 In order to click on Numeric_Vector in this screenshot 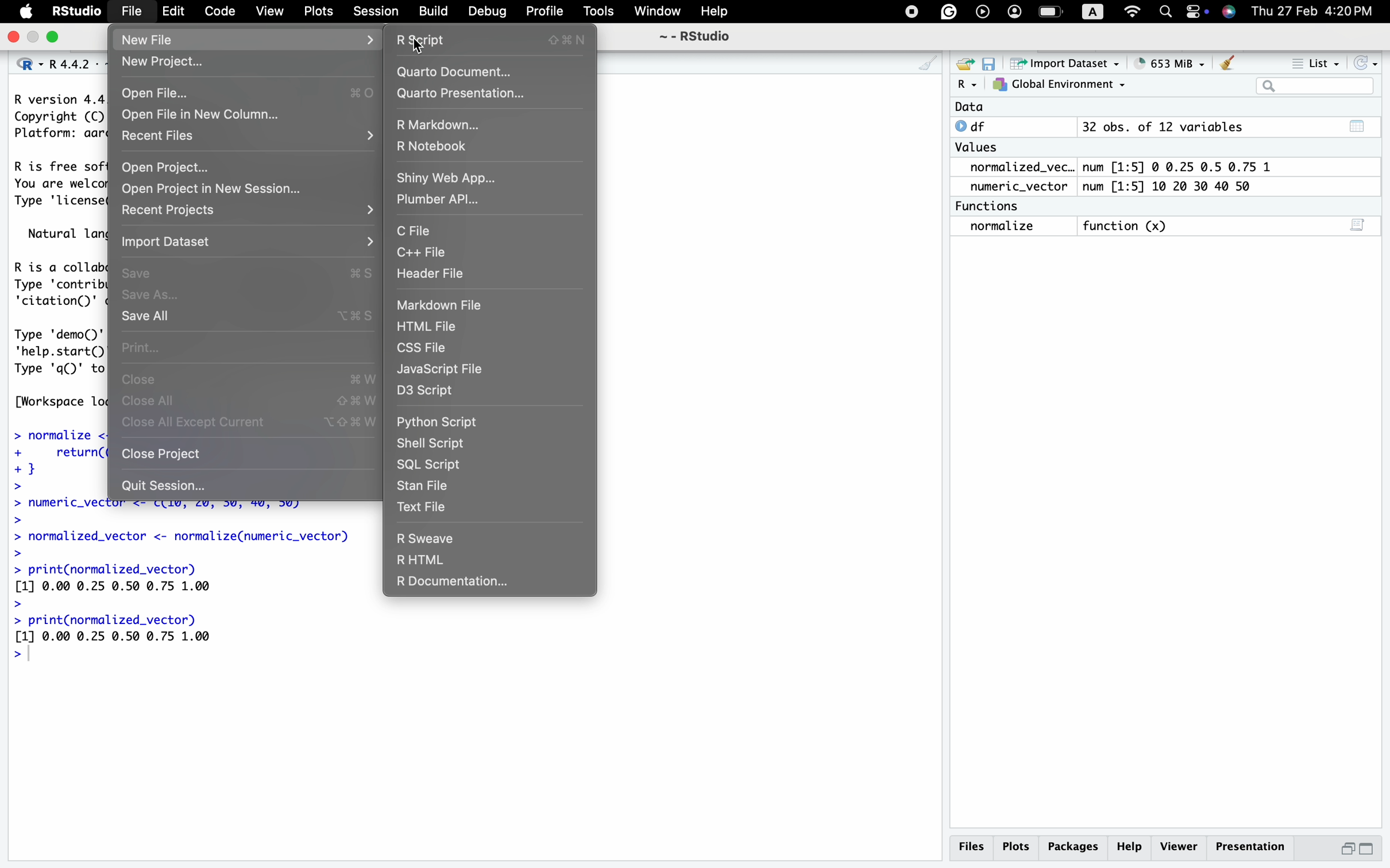, I will do `click(1014, 187)`.